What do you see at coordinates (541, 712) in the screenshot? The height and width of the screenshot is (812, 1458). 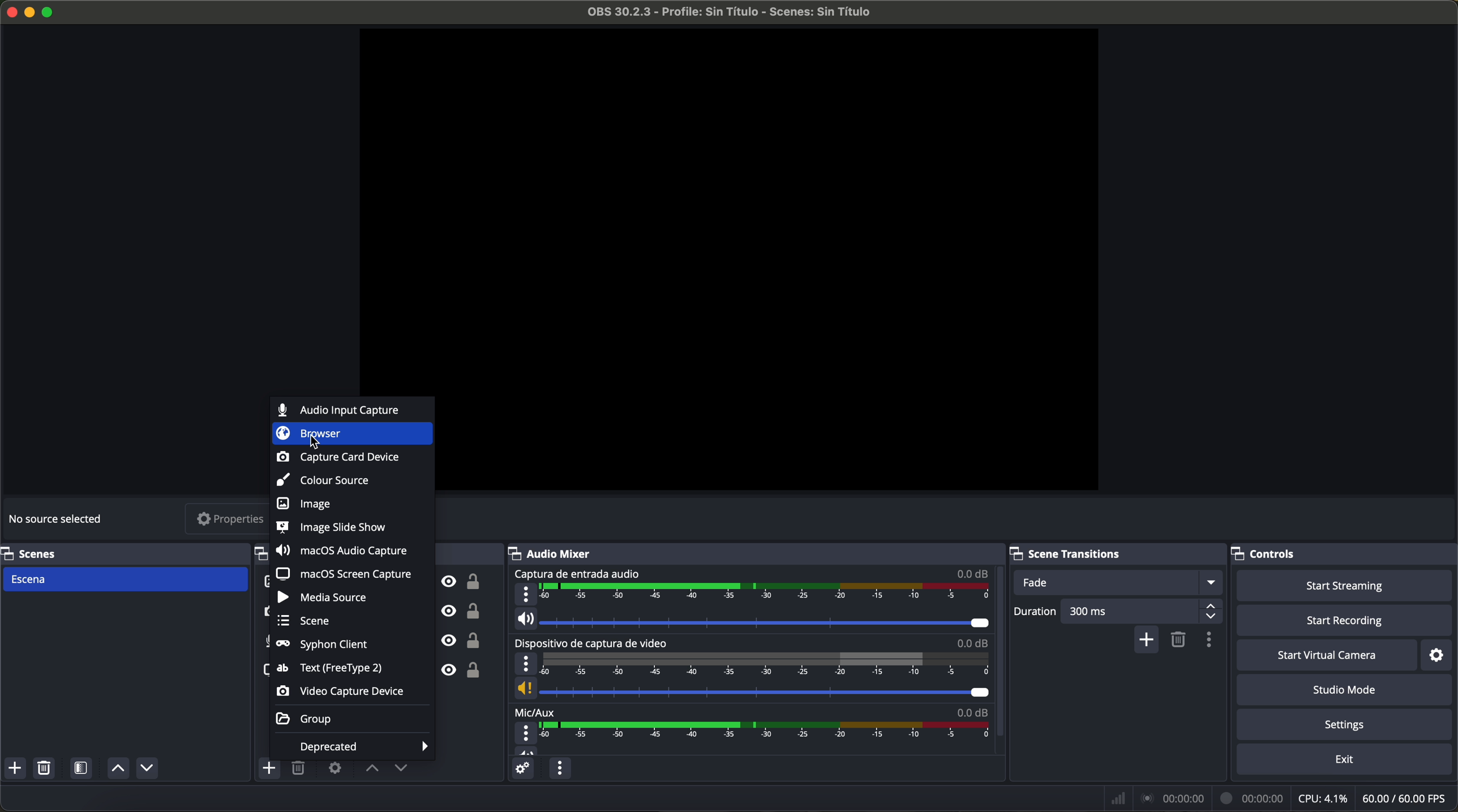 I see `mic/aux` at bounding box center [541, 712].